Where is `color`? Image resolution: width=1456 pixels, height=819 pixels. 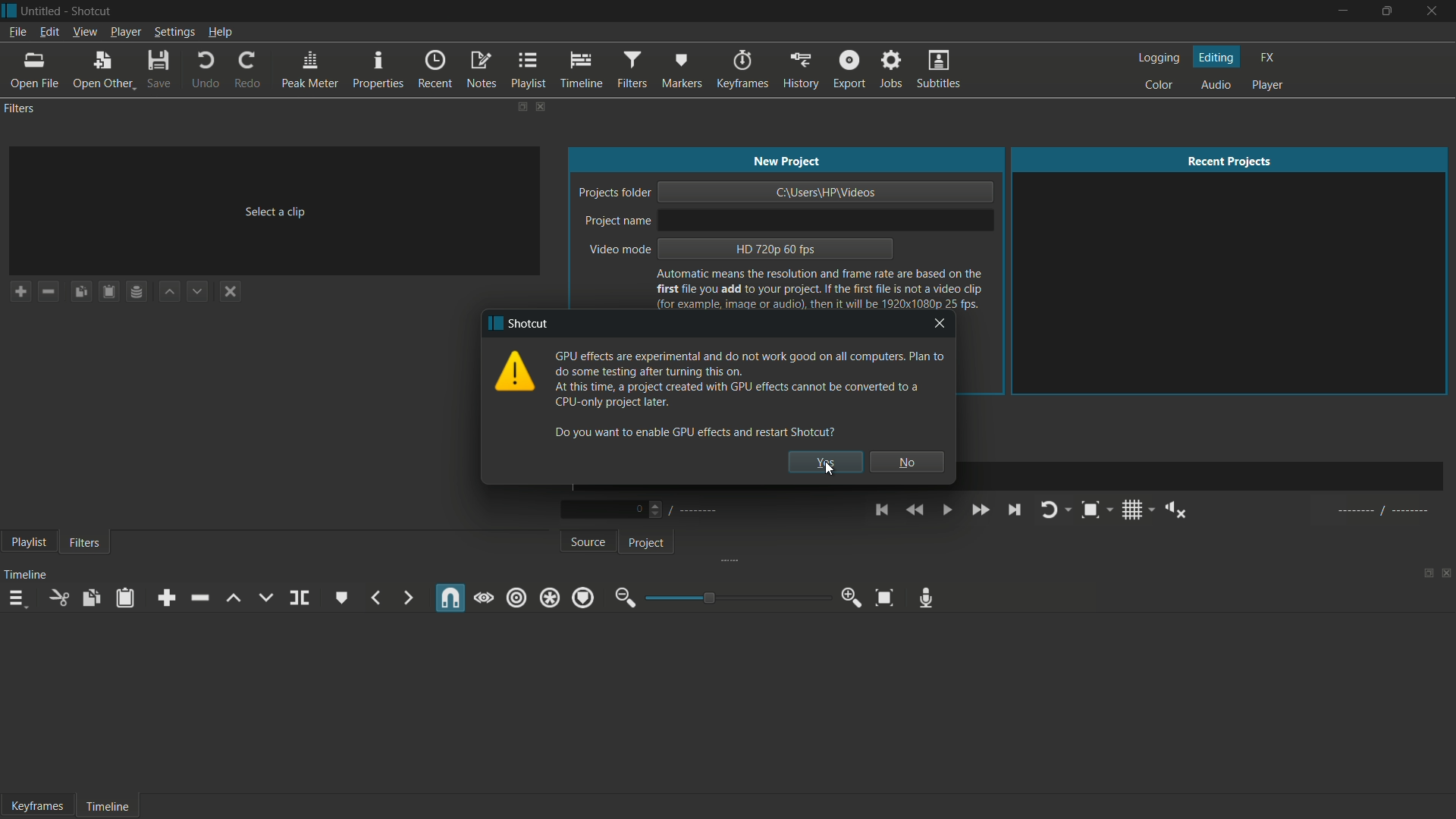 color is located at coordinates (1159, 86).